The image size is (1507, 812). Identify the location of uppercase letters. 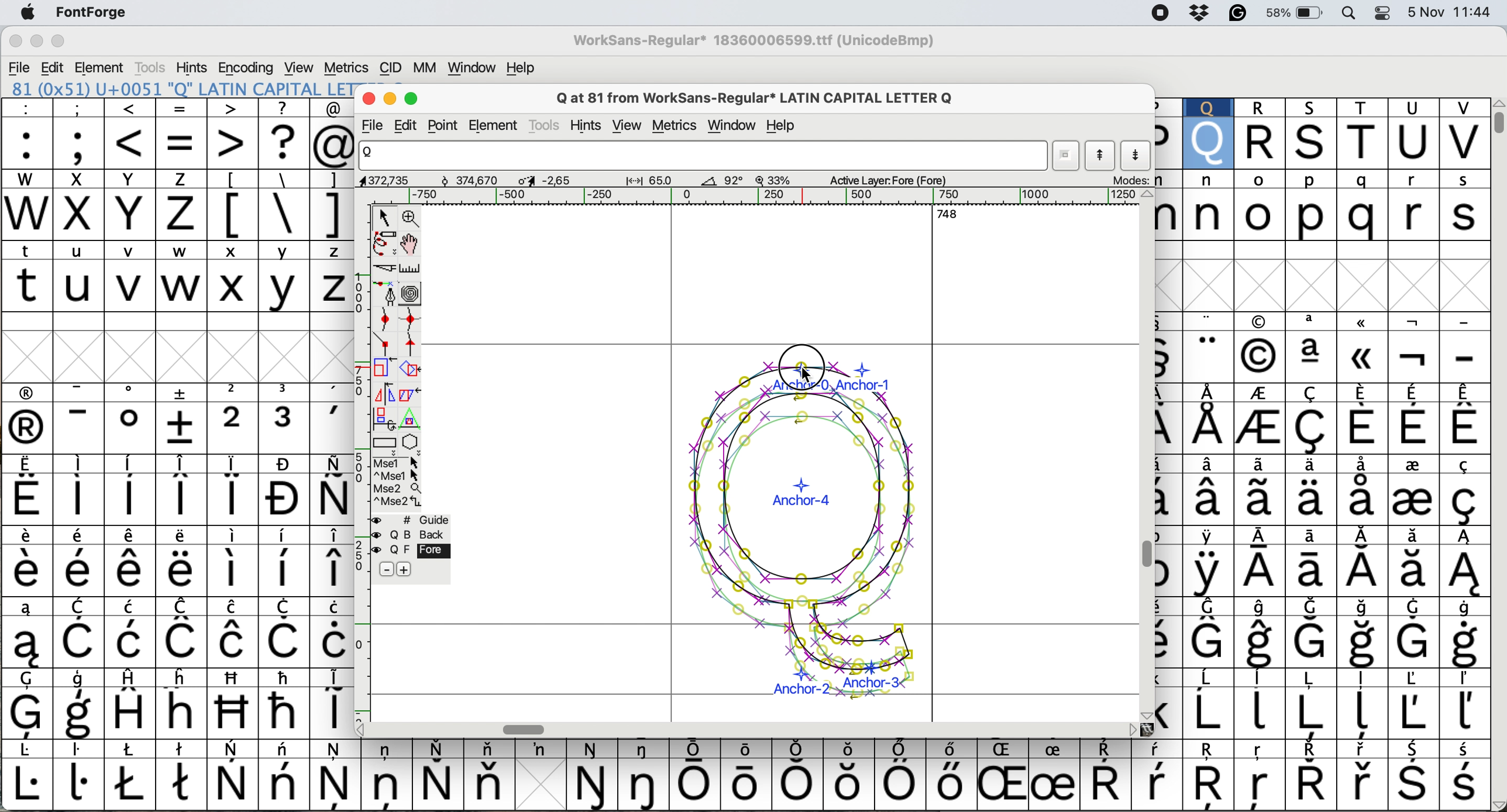
(1324, 132).